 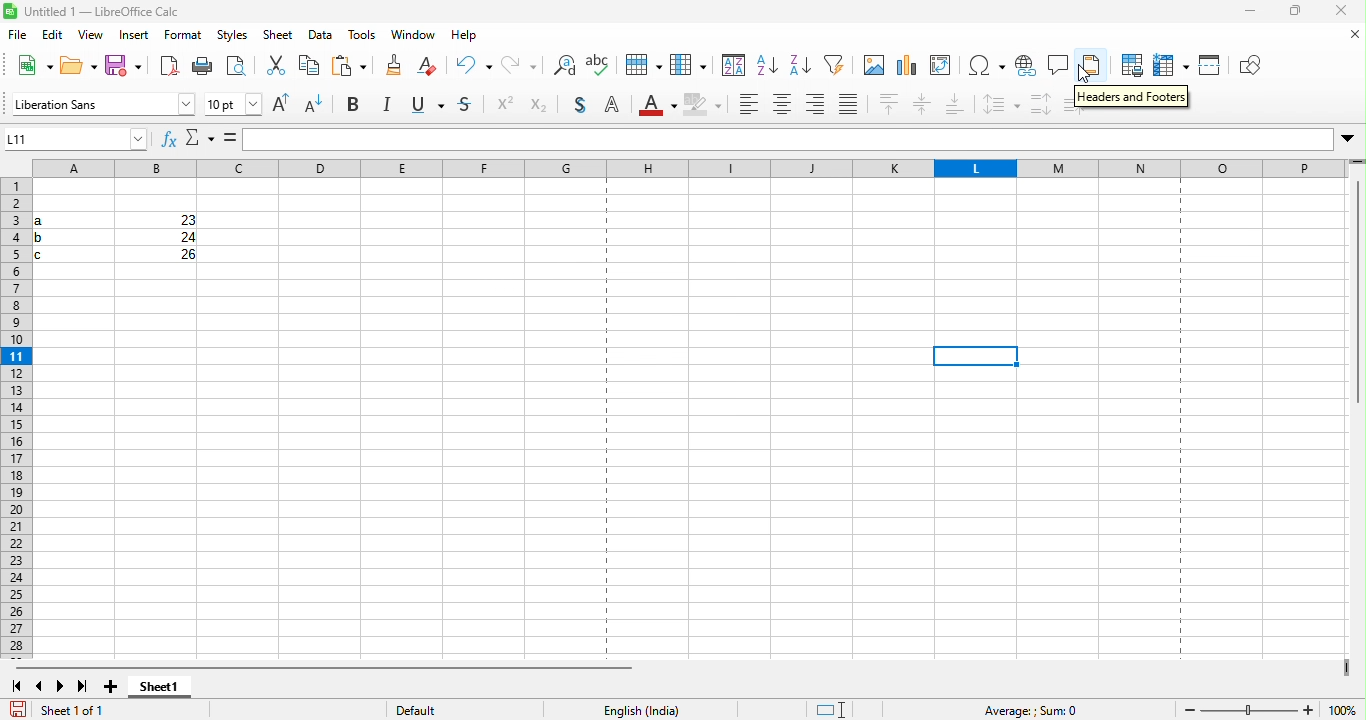 What do you see at coordinates (167, 690) in the screenshot?
I see `sheet 1` at bounding box center [167, 690].